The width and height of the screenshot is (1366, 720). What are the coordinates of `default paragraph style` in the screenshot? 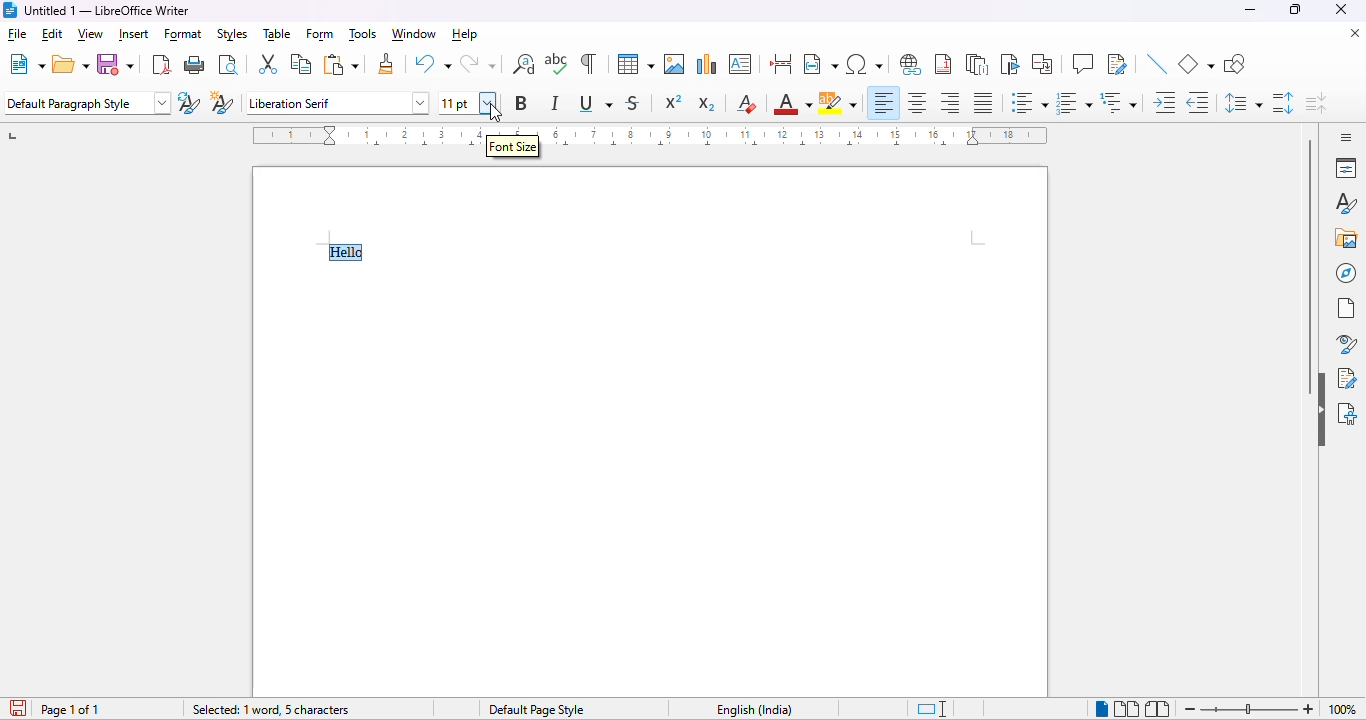 It's located at (87, 103).